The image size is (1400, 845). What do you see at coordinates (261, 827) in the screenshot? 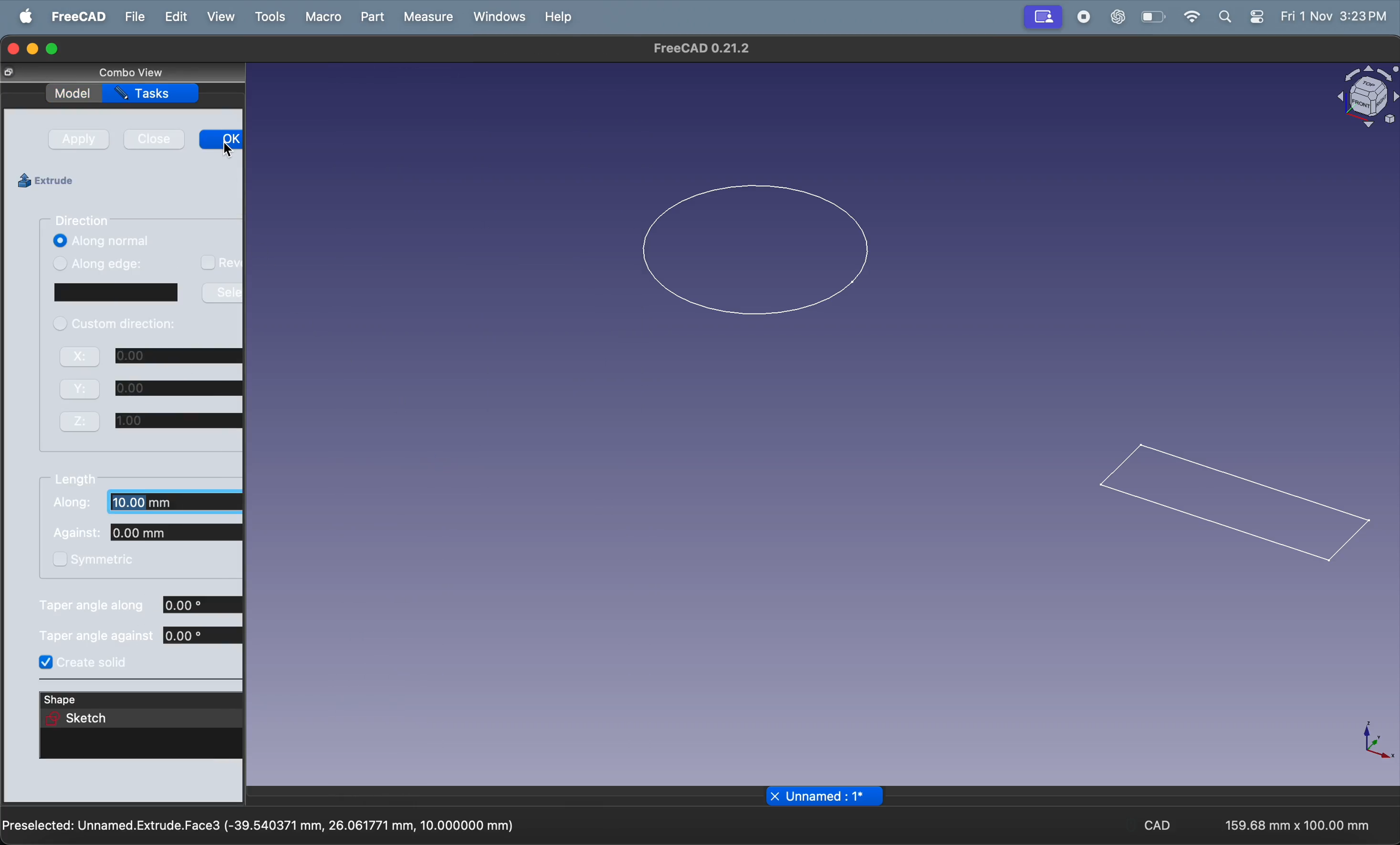
I see `Preselected: Unnamed.Extrude.Face3 (-39.540371 mm, 26.061771 mm, 10.000000 mm)` at bounding box center [261, 827].